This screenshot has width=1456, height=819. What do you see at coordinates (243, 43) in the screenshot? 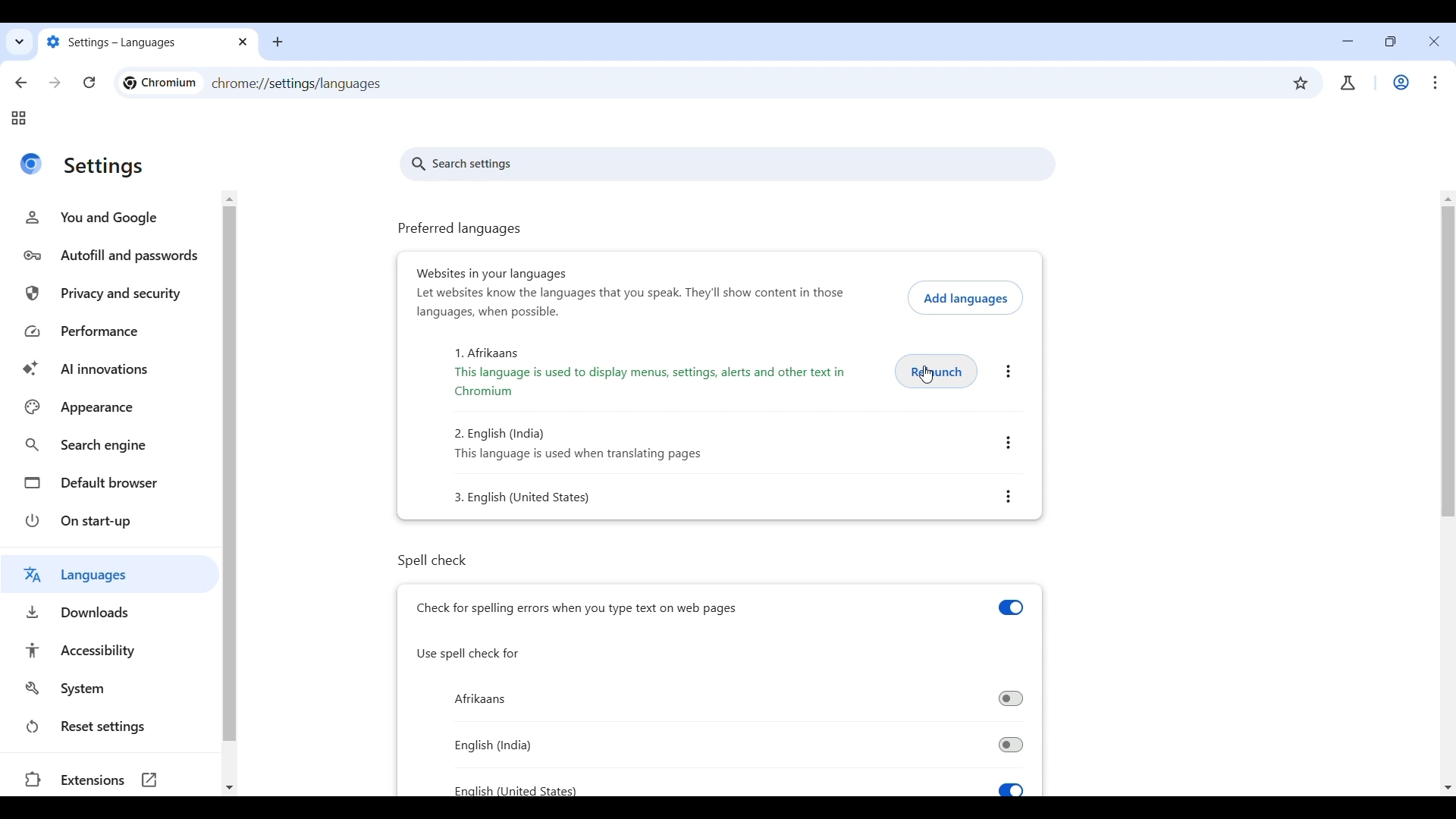
I see `close tab` at bounding box center [243, 43].